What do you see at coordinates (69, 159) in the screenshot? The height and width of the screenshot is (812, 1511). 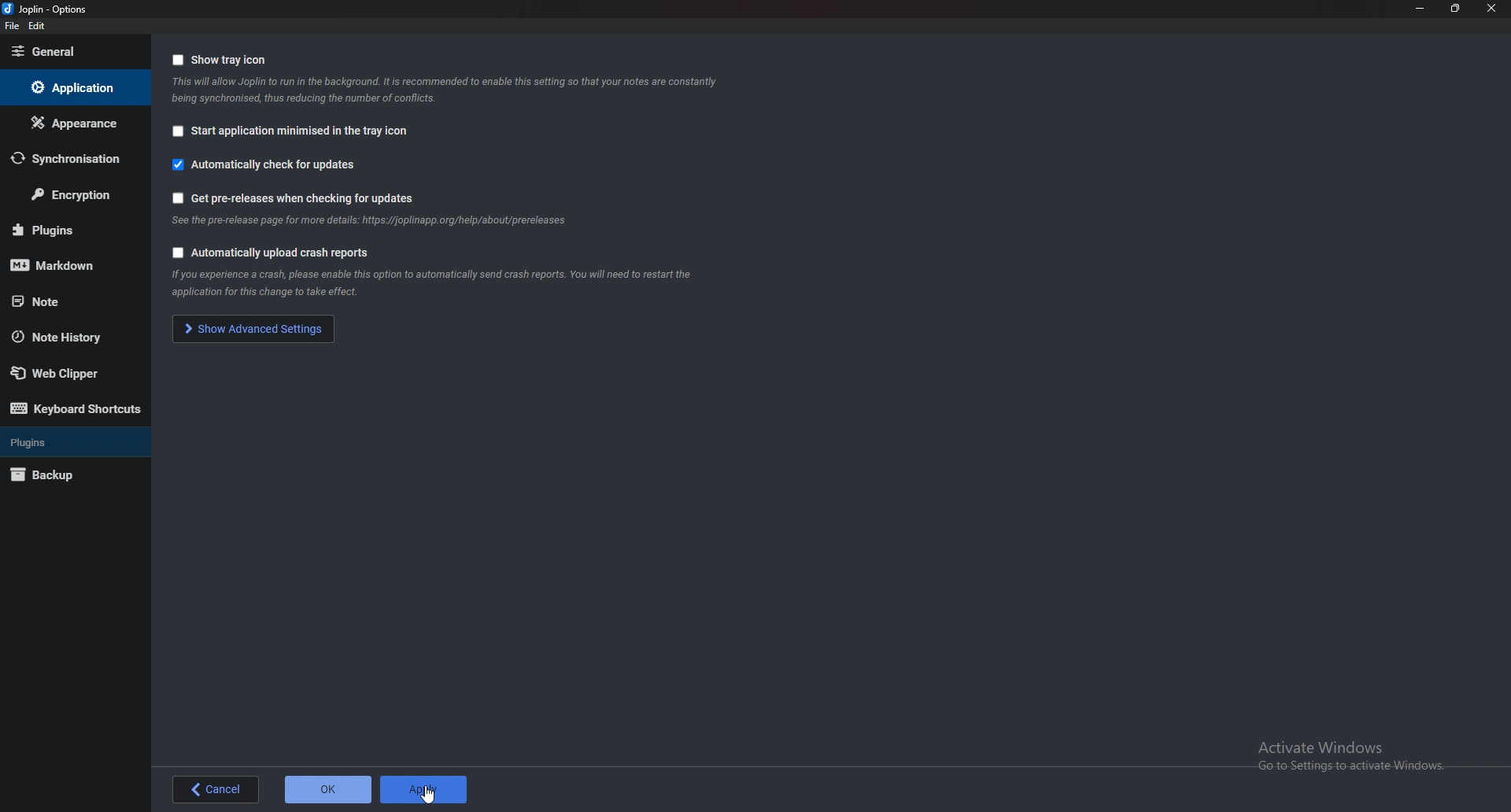 I see `Synchronization` at bounding box center [69, 159].